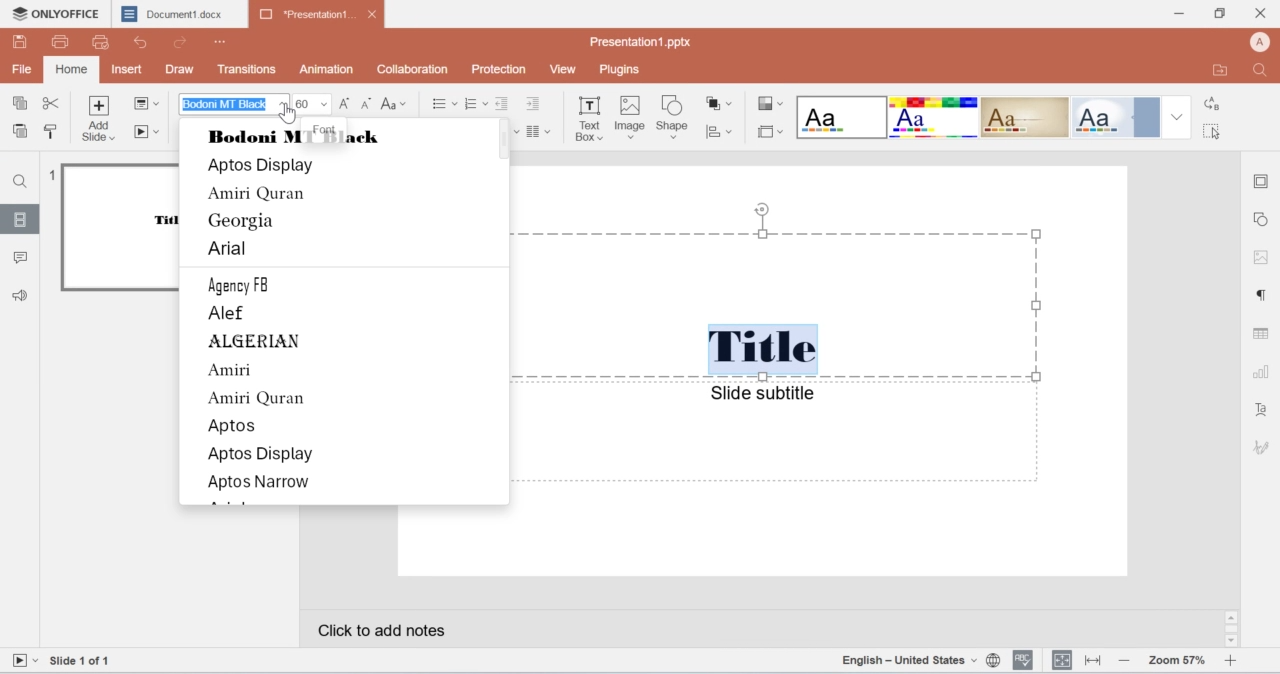 This screenshot has height=674, width=1280. Describe the element at coordinates (101, 120) in the screenshot. I see `add slide` at that location.